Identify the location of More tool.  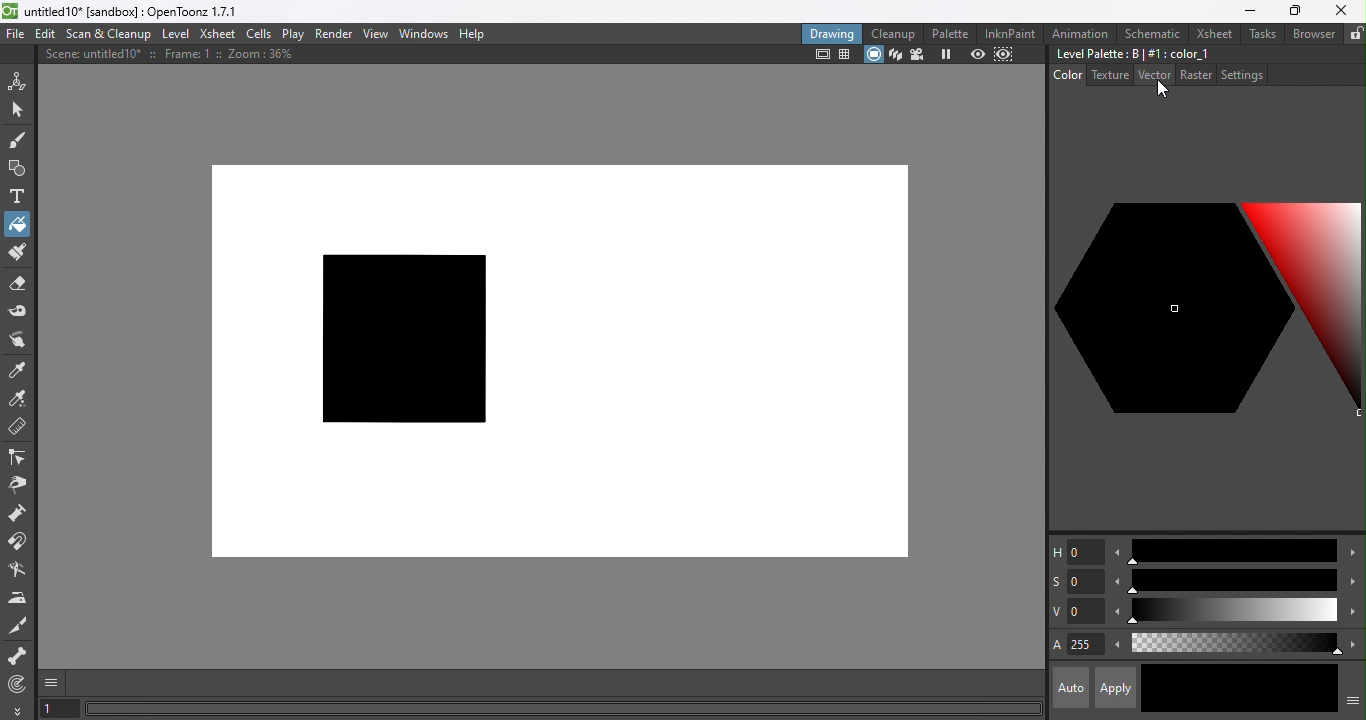
(18, 710).